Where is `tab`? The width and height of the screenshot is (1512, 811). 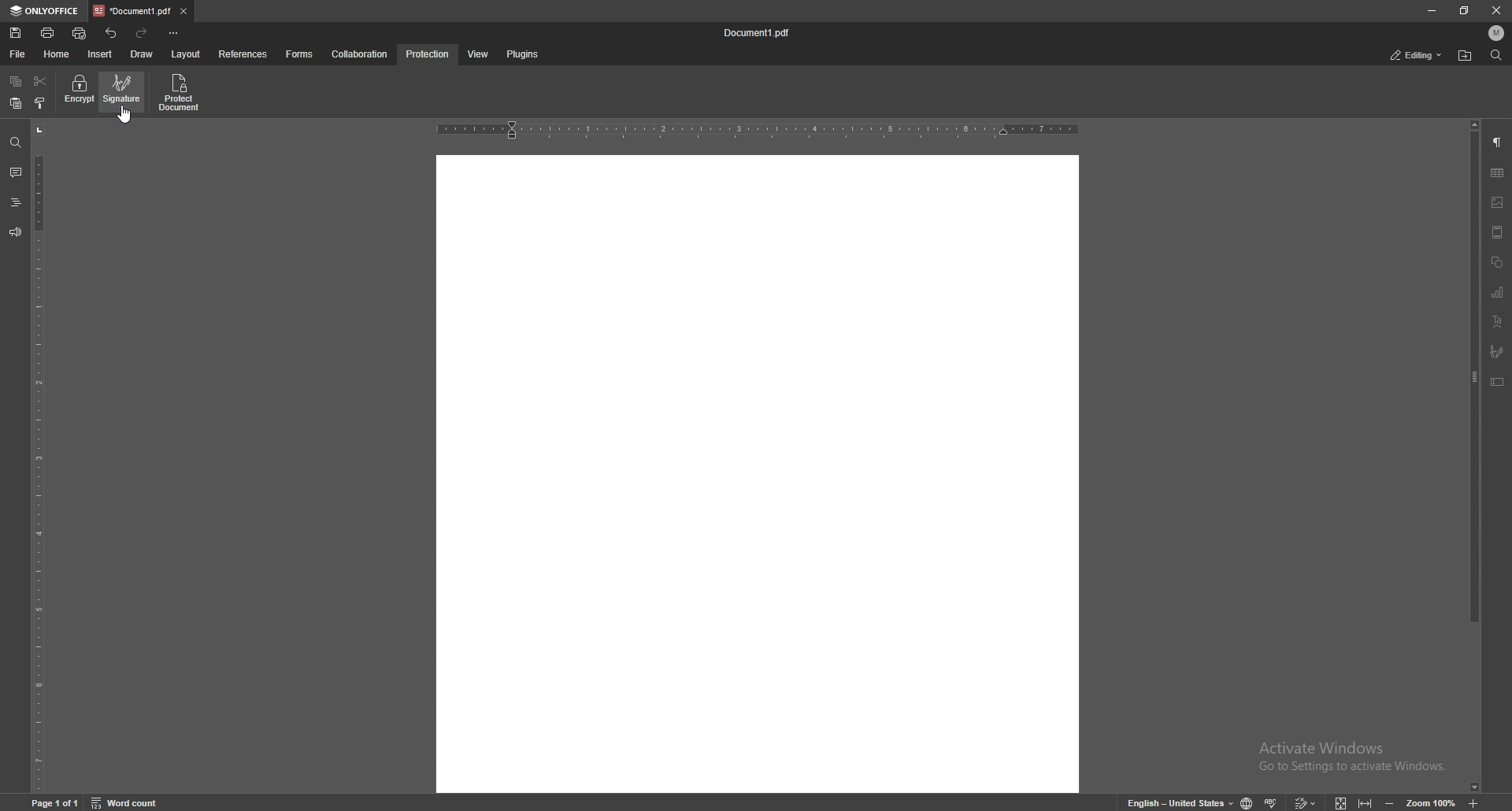
tab is located at coordinates (132, 10).